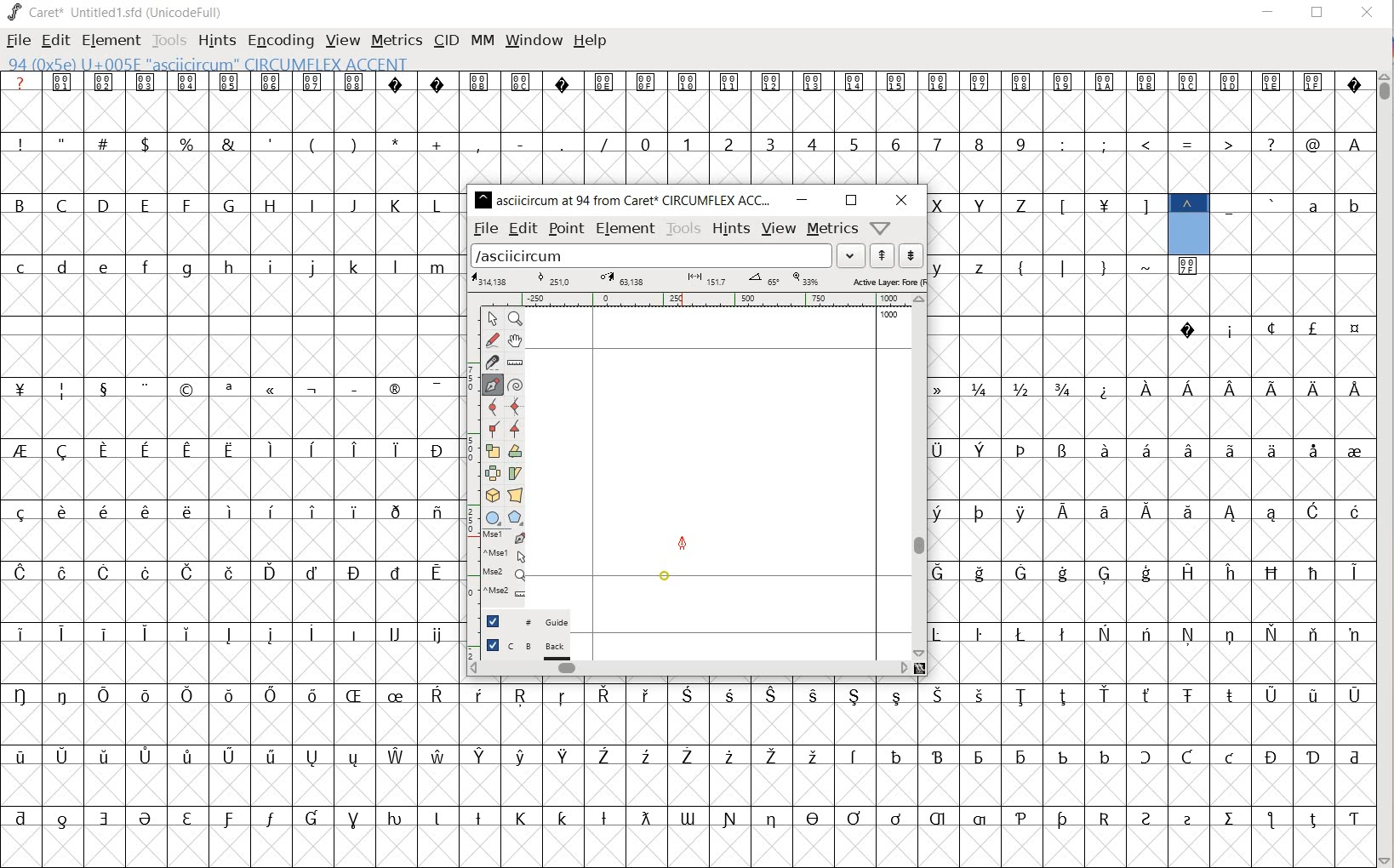  I want to click on Rotate the selection, so click(514, 452).